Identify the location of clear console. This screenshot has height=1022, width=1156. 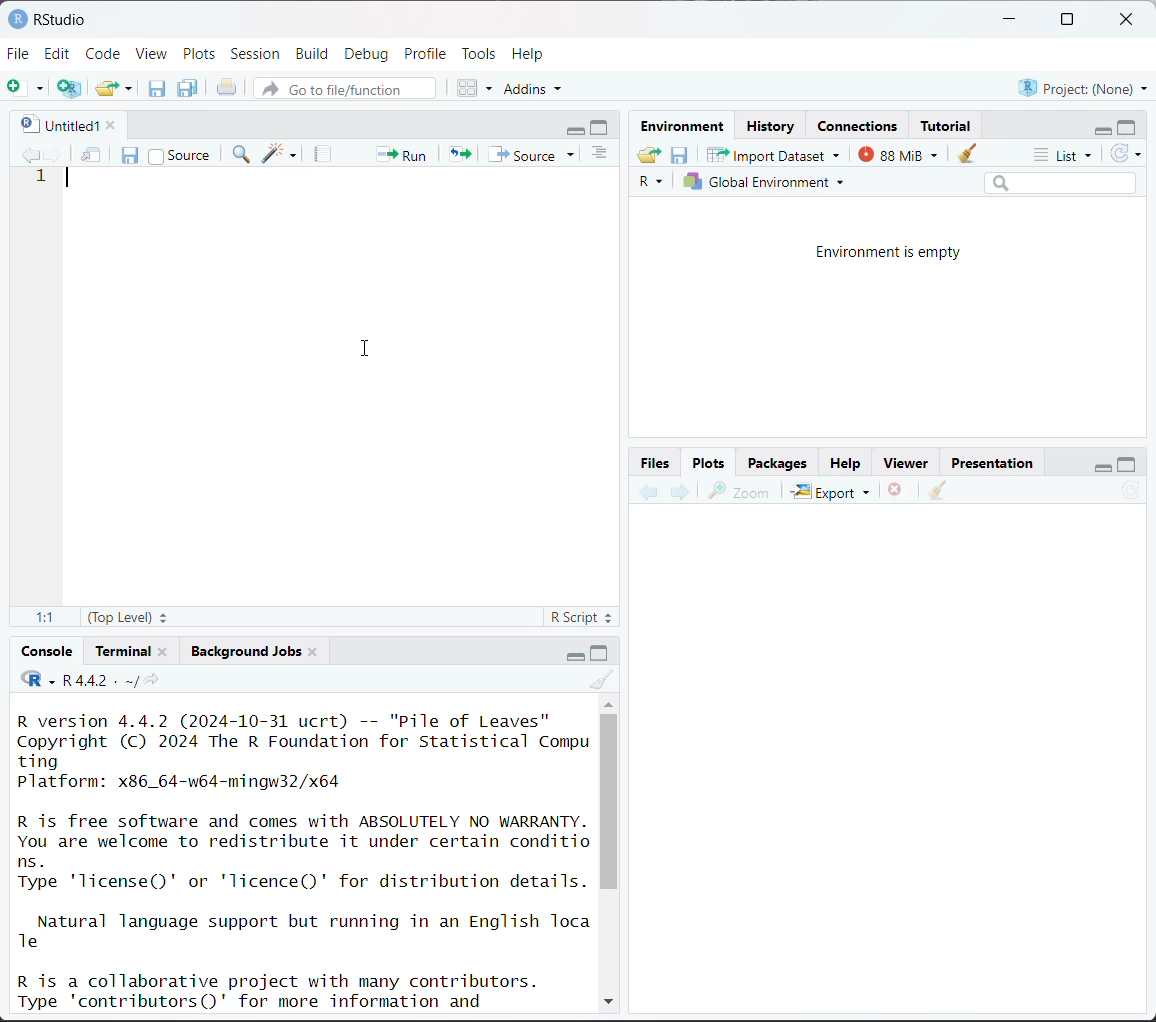
(604, 680).